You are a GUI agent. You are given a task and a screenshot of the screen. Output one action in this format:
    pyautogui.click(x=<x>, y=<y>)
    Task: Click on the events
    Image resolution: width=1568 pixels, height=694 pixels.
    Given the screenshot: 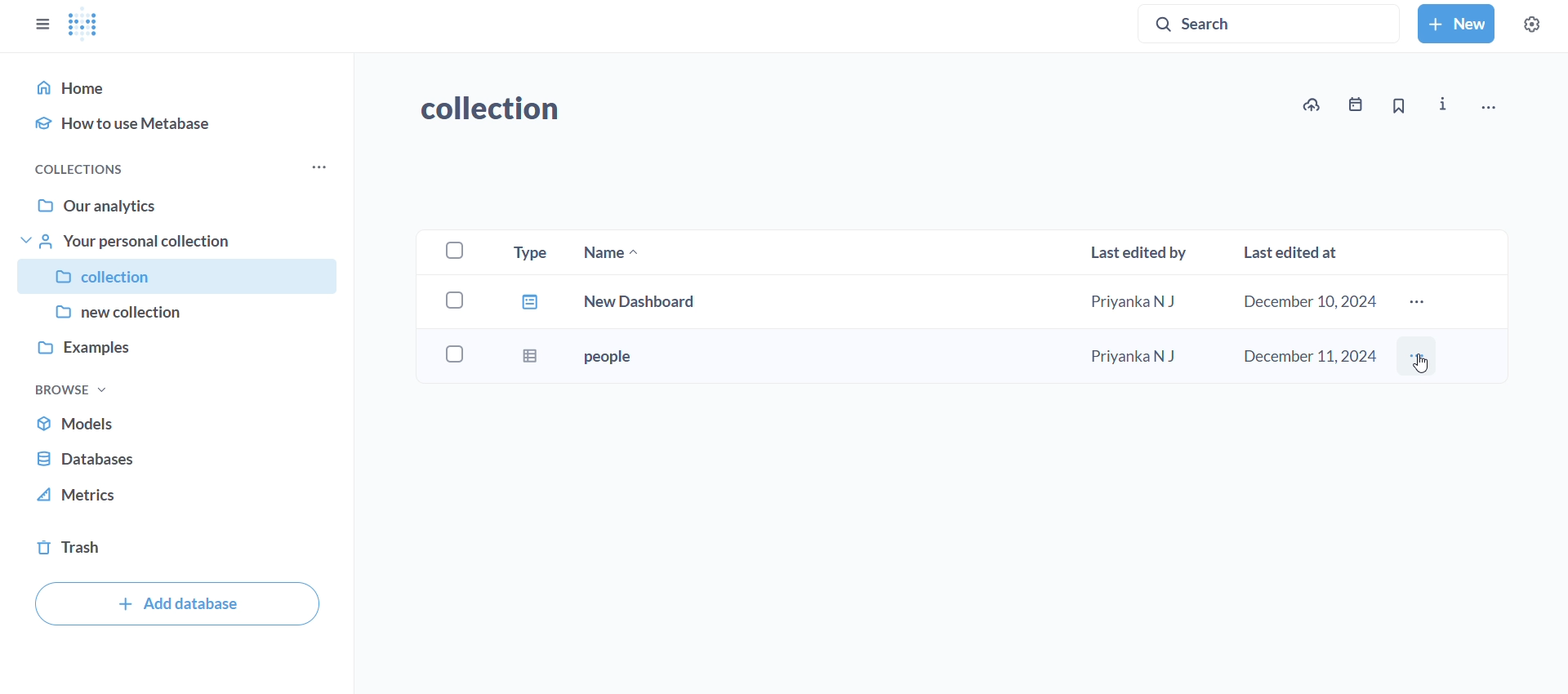 What is the action you would take?
    pyautogui.click(x=1351, y=108)
    